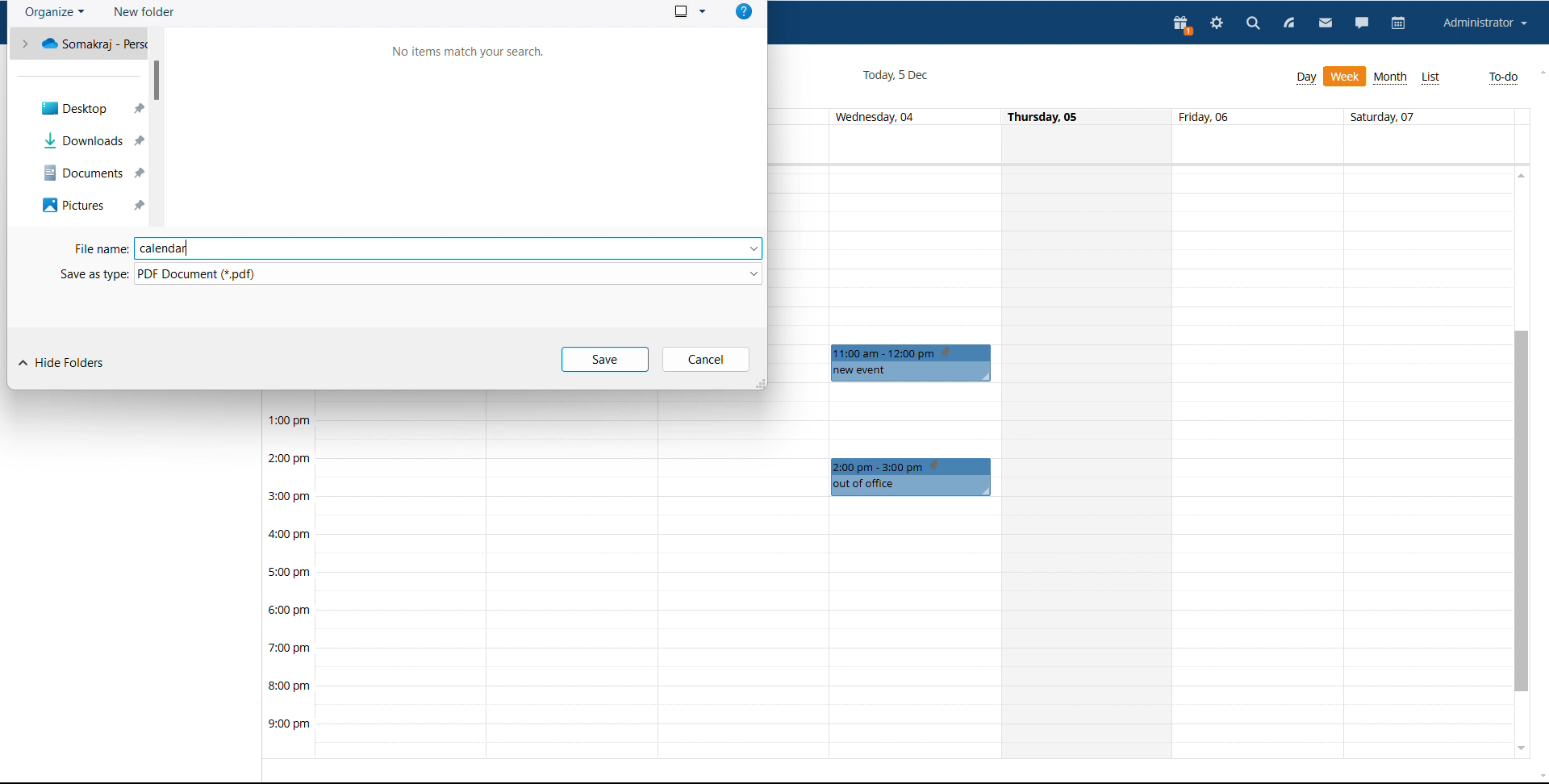 The image size is (1549, 784). What do you see at coordinates (1362, 25) in the screenshot?
I see `chat` at bounding box center [1362, 25].